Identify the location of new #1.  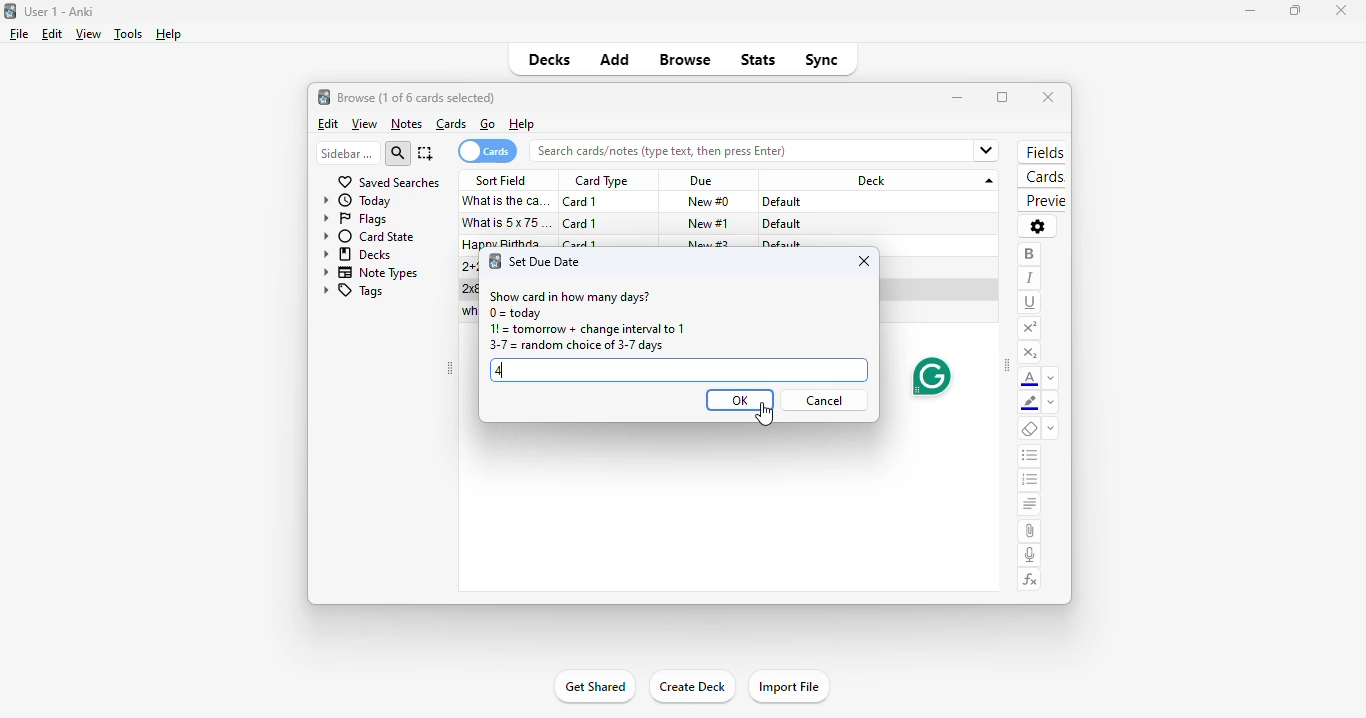
(709, 223).